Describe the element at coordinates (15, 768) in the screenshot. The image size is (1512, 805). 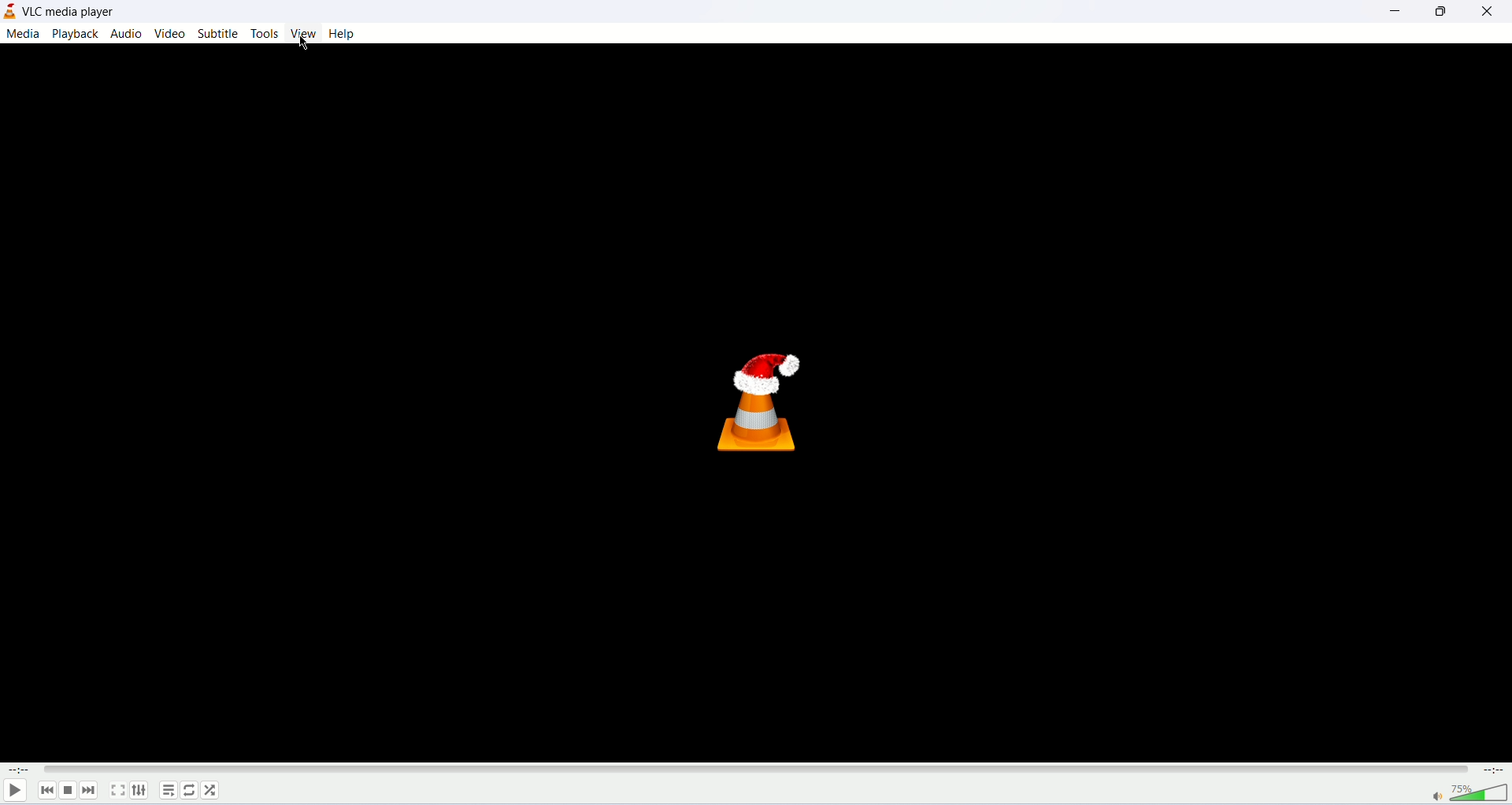
I see `played time` at that location.